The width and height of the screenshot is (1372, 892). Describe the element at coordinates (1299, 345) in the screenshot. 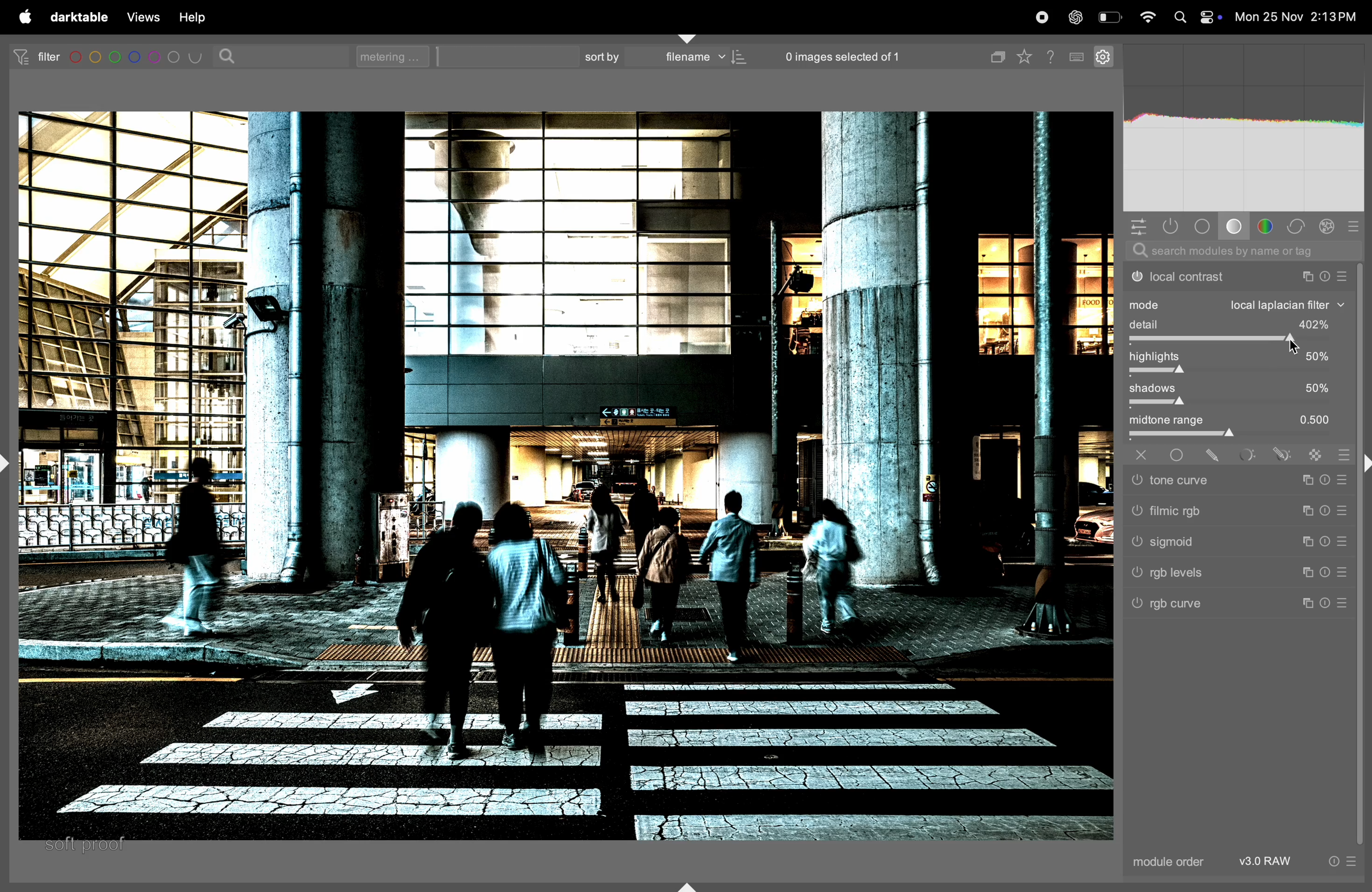

I see `cursor` at that location.